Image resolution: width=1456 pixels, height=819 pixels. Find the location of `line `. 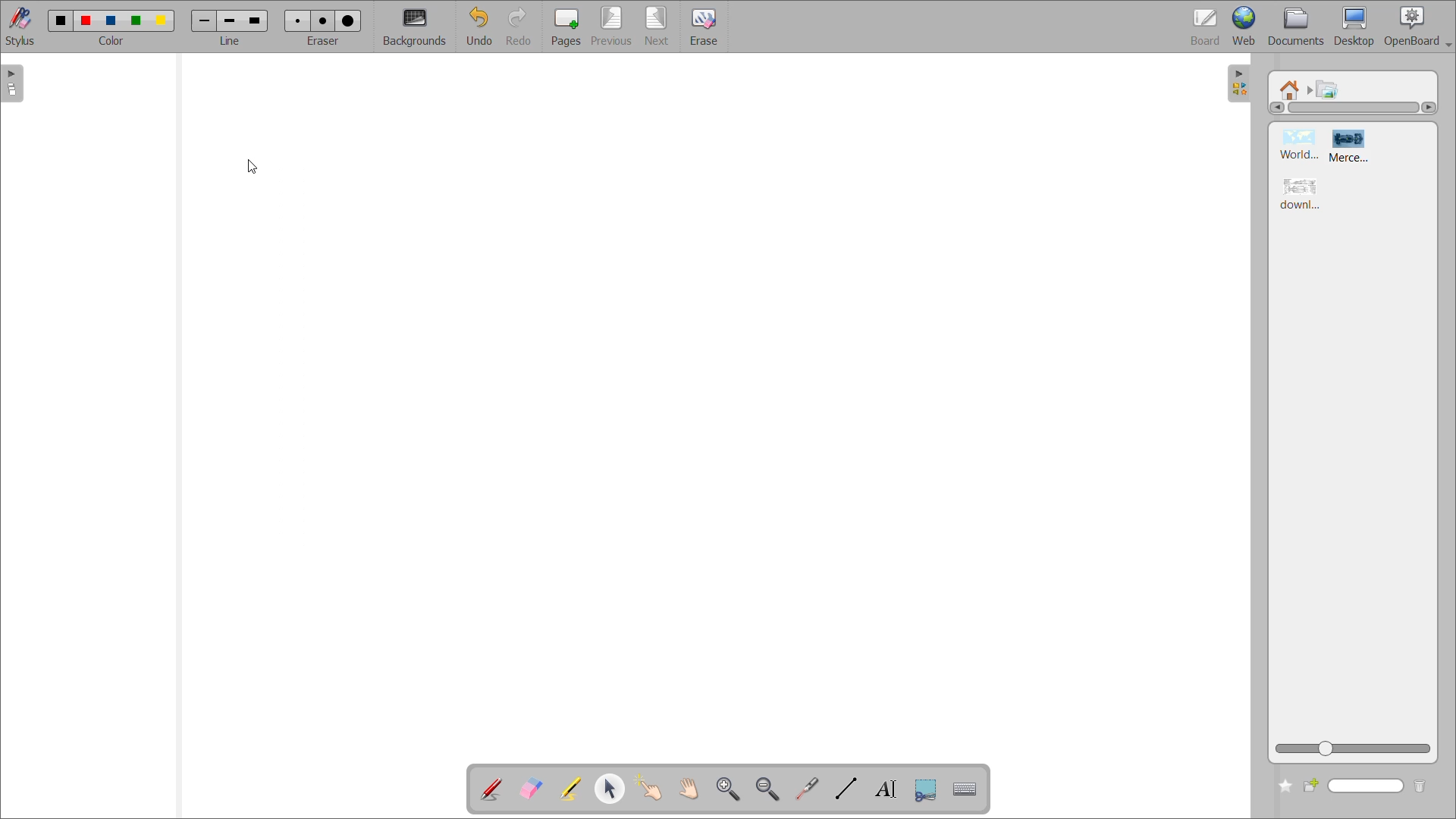

line  is located at coordinates (232, 46).